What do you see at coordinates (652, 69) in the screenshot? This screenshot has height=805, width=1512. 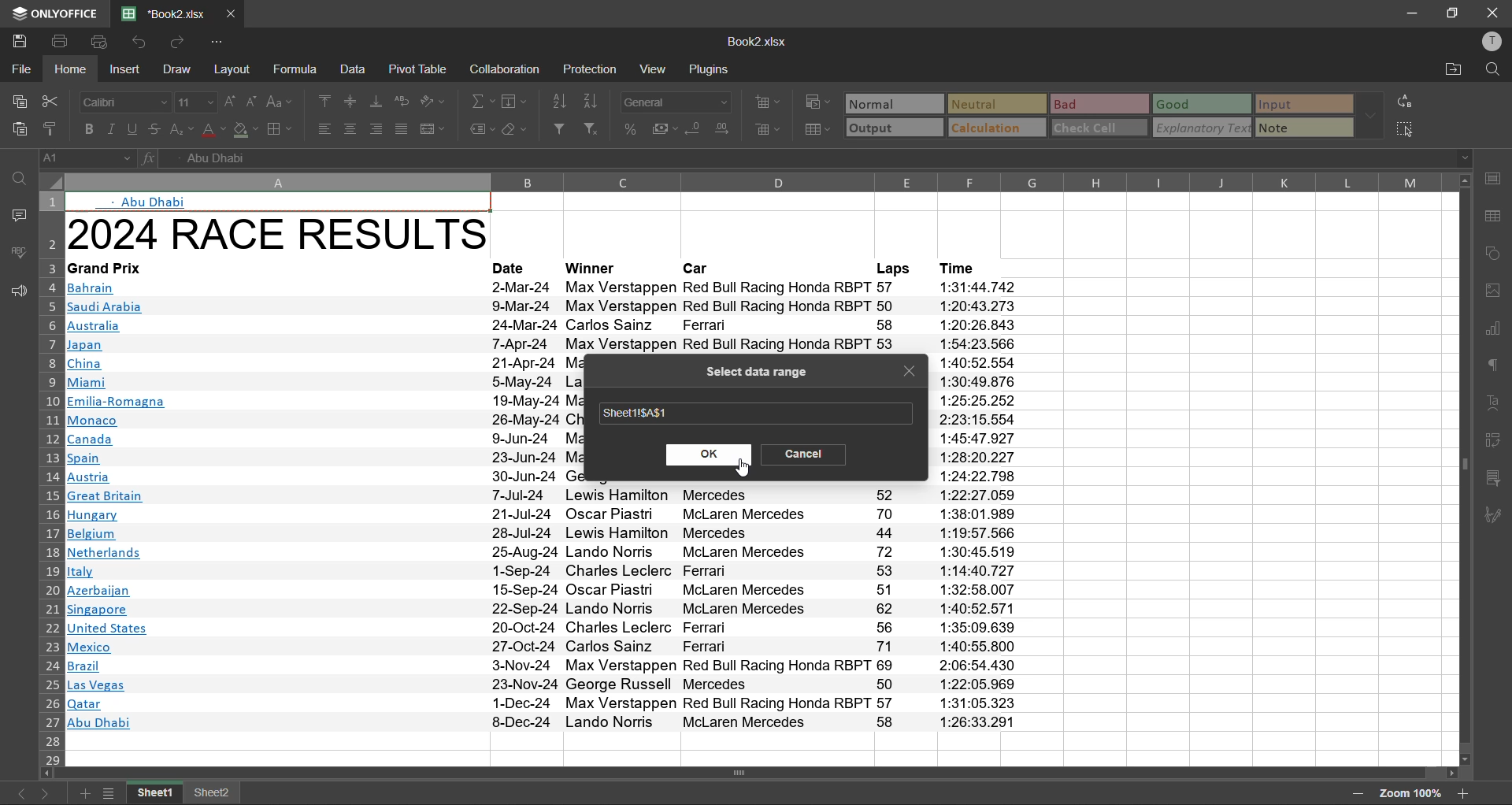 I see `view` at bounding box center [652, 69].